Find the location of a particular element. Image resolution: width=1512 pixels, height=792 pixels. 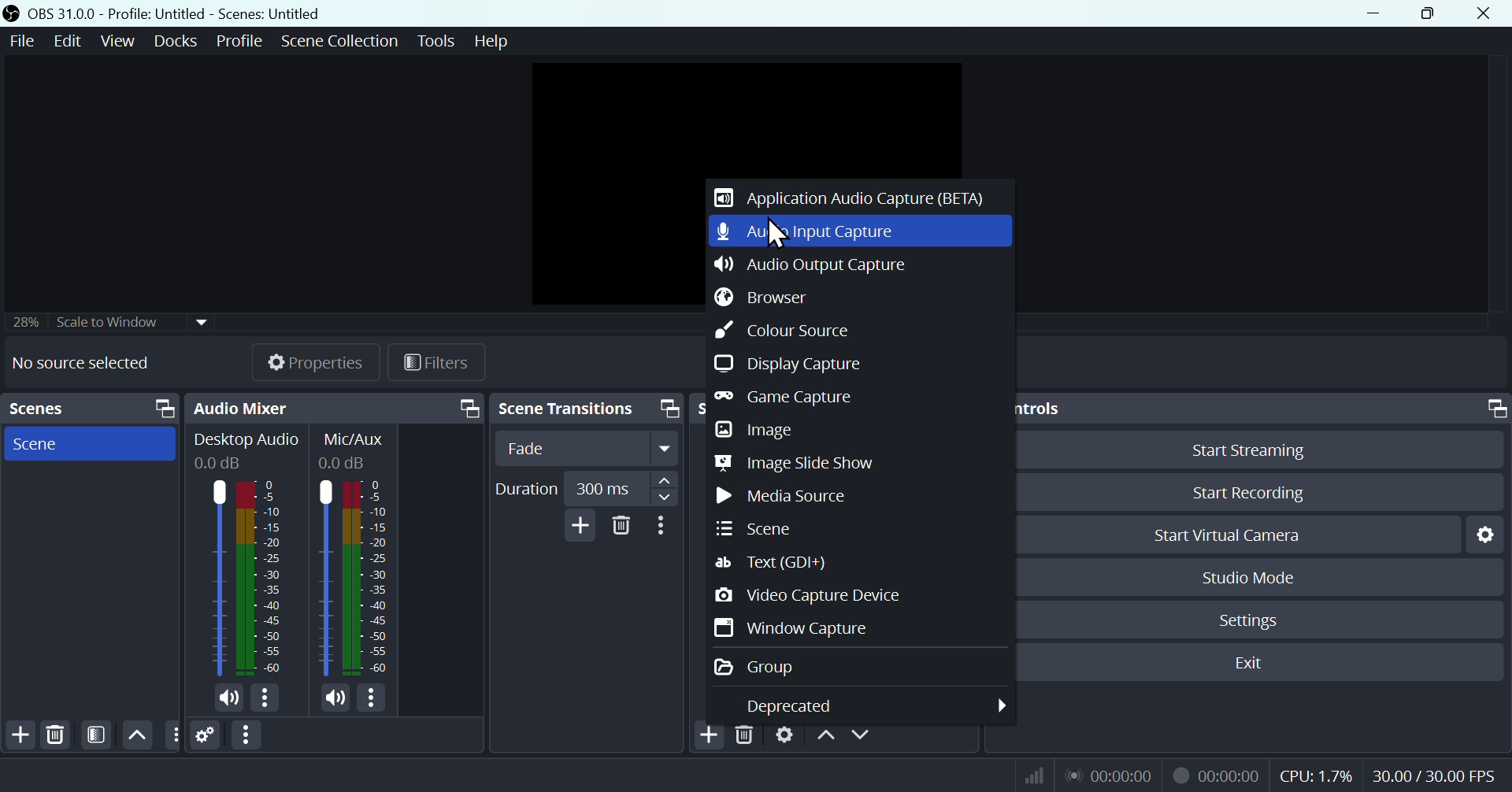

 is located at coordinates (172, 735).